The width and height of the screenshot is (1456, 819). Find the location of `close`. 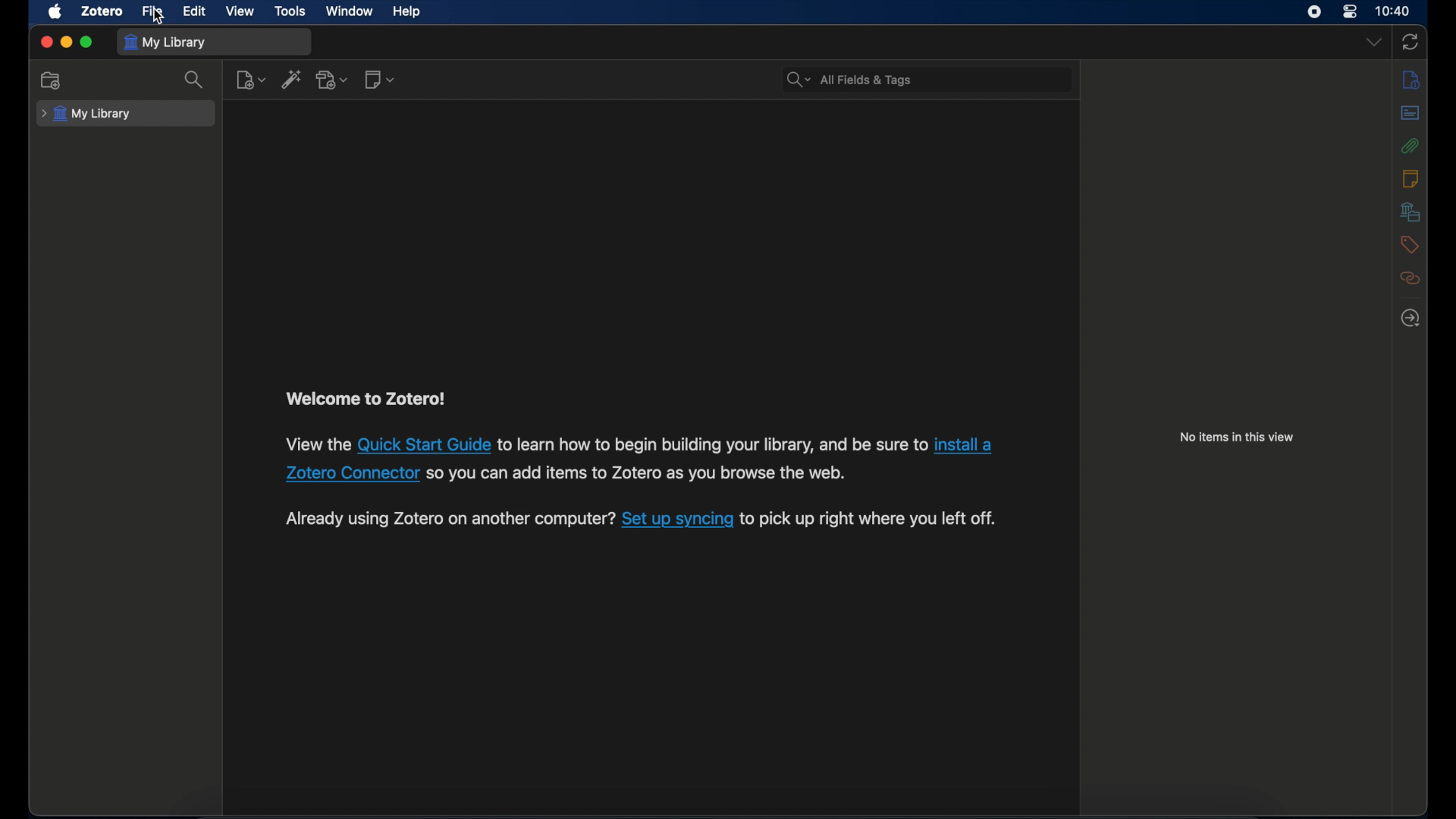

close is located at coordinates (45, 43).